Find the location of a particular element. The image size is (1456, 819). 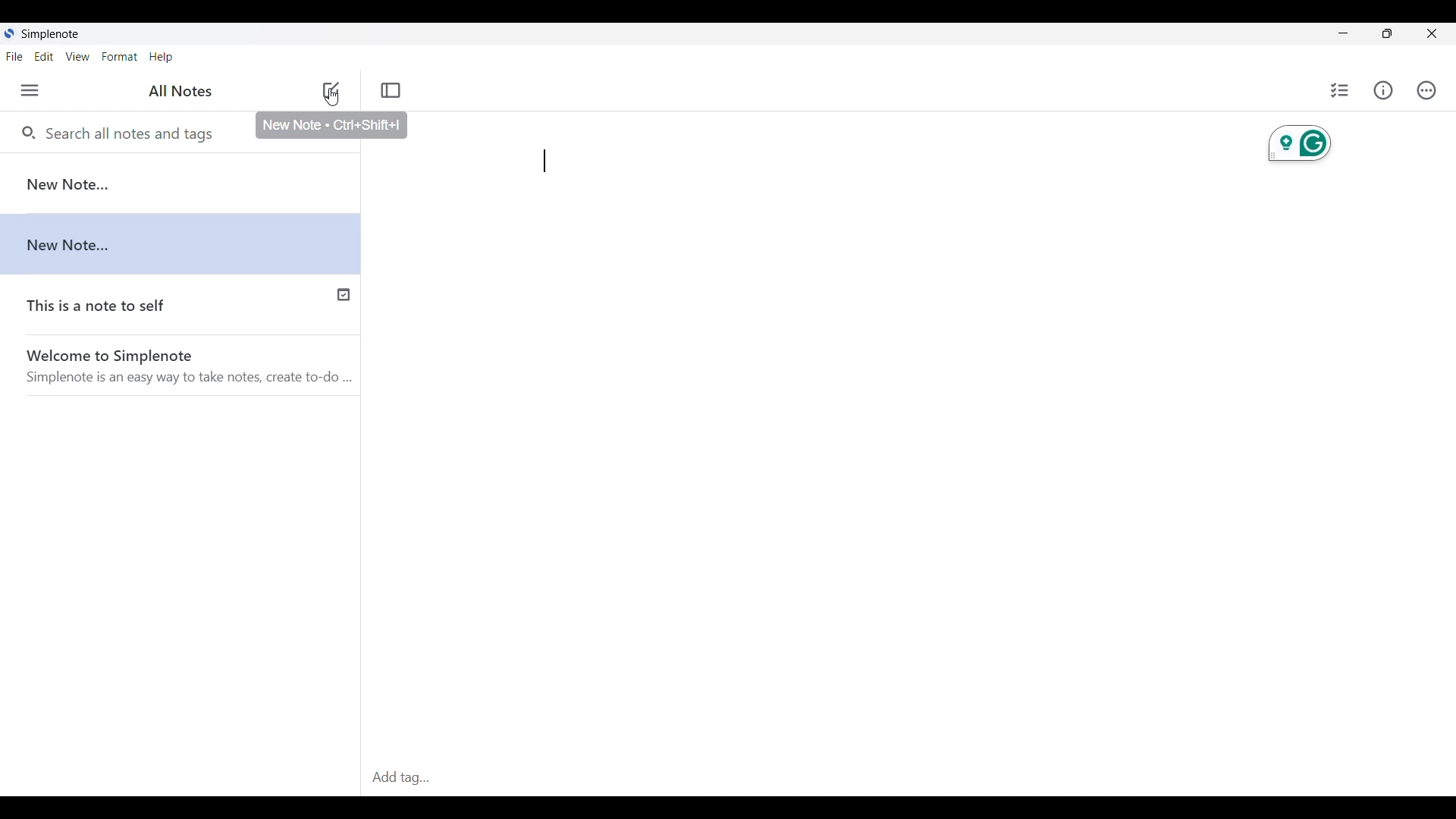

Cursor is located at coordinates (333, 102).